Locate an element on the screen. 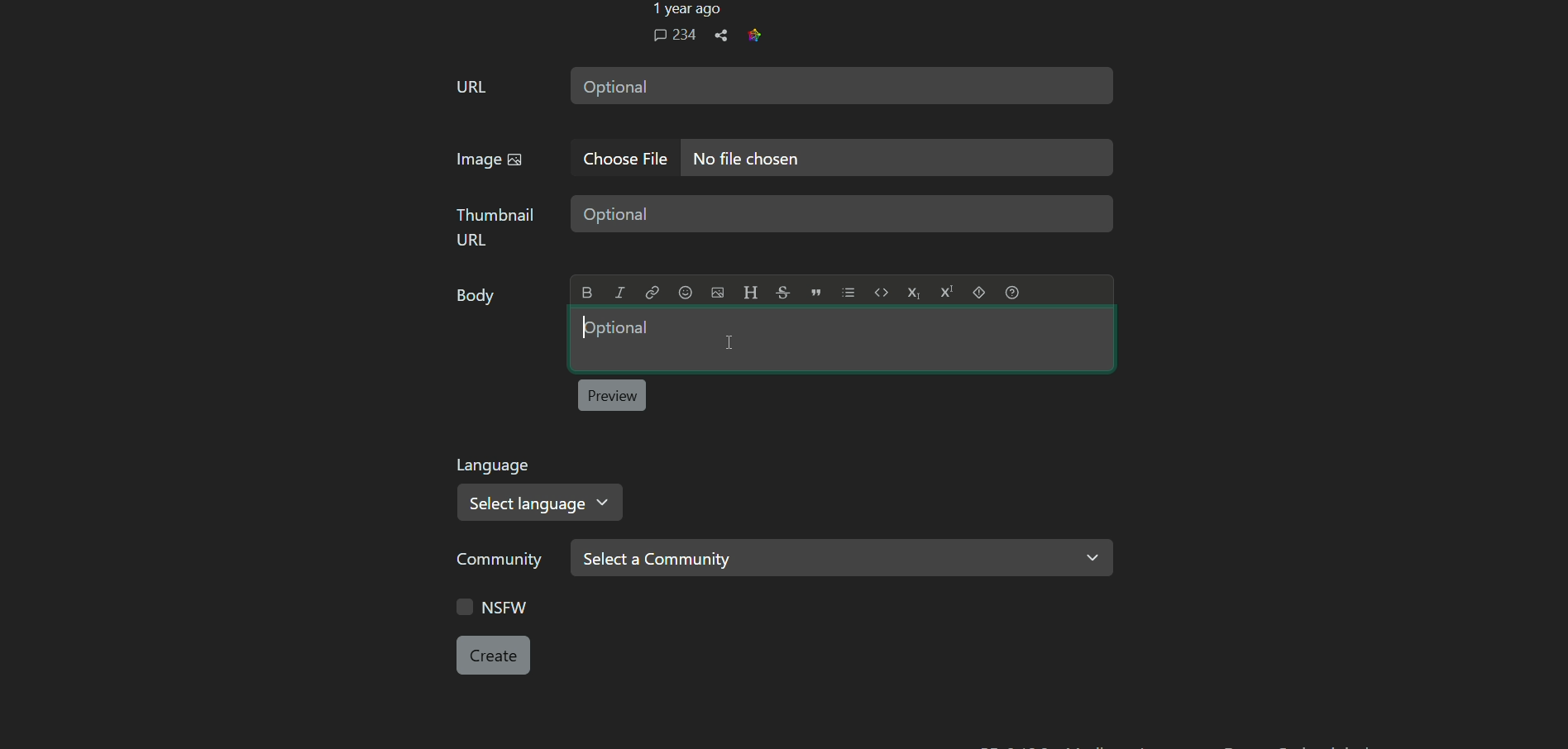  Link is located at coordinates (652, 293).